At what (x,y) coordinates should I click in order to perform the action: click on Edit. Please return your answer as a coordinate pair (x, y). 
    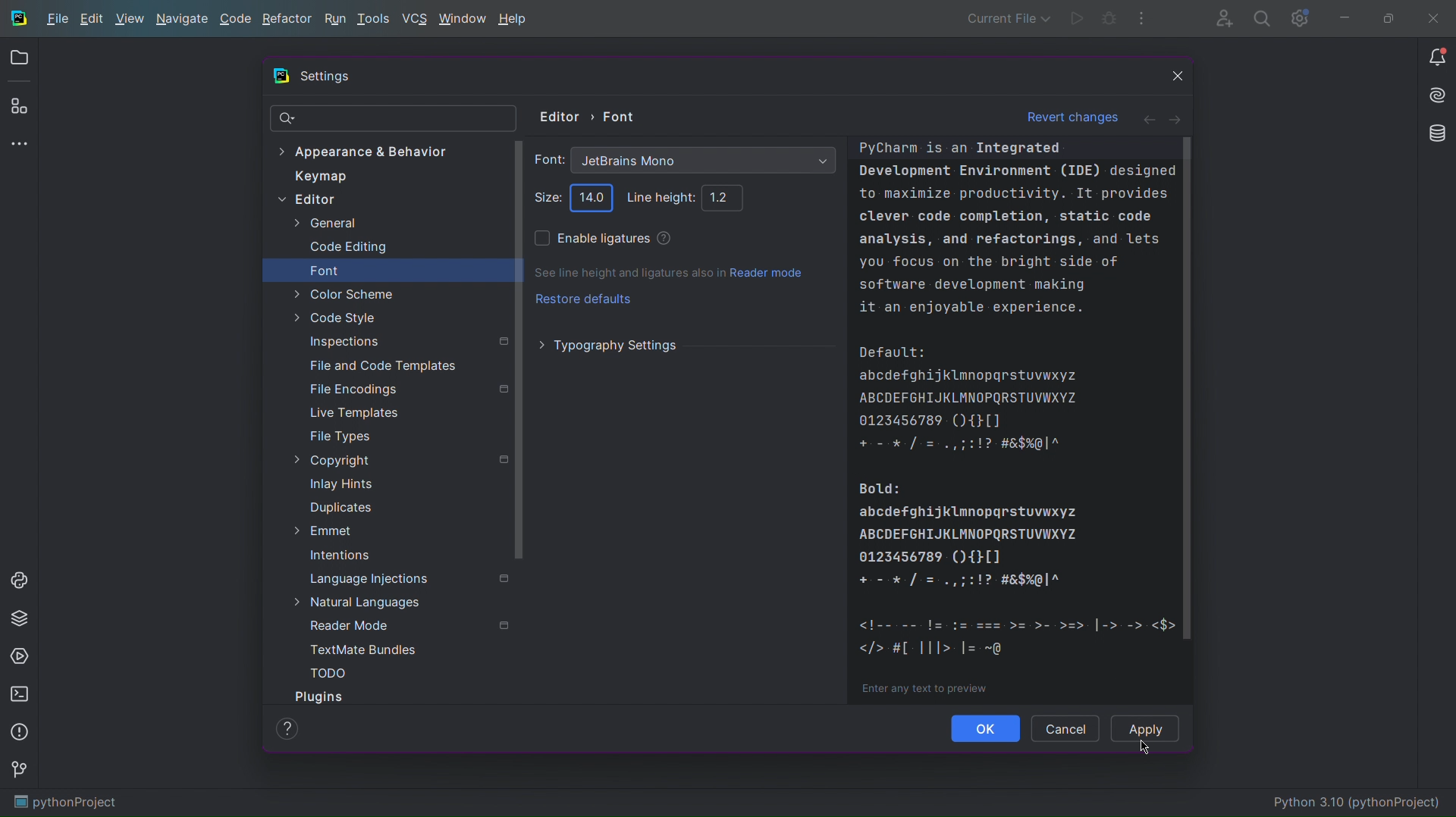
    Looking at the image, I should click on (90, 20).